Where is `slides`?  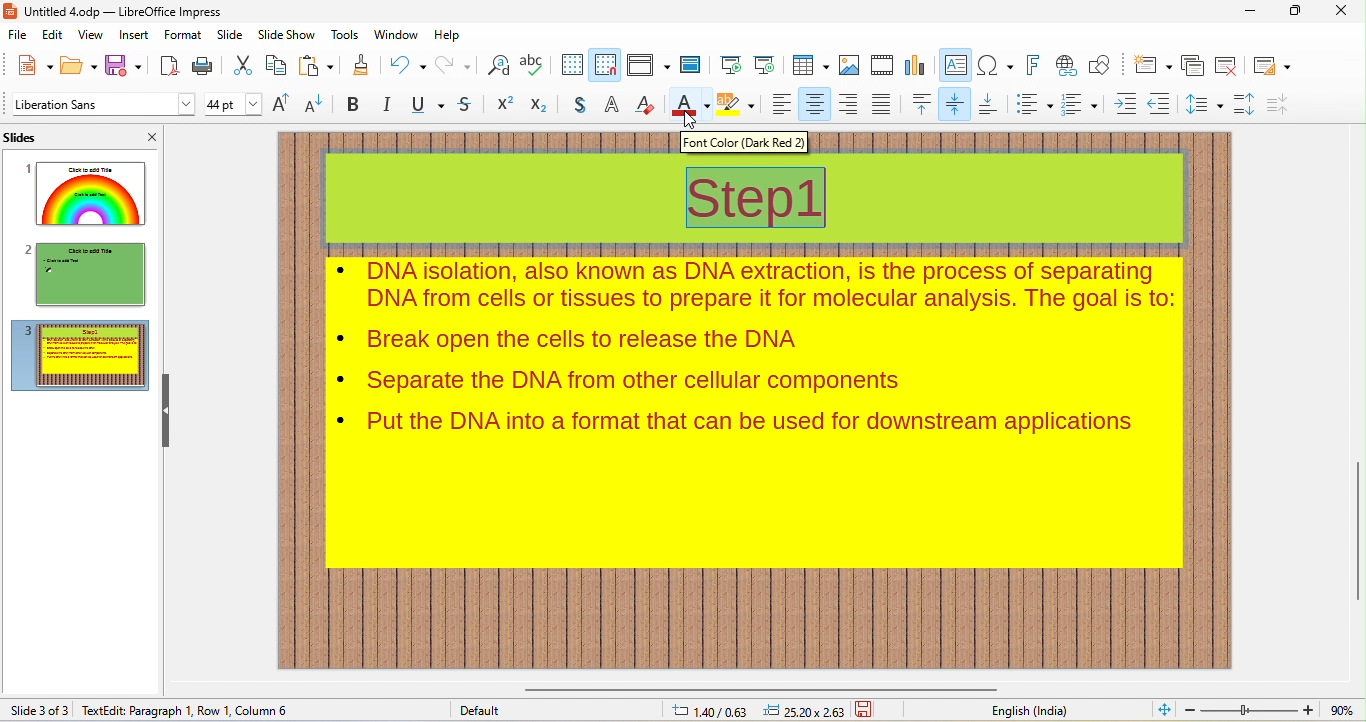
slides is located at coordinates (27, 135).